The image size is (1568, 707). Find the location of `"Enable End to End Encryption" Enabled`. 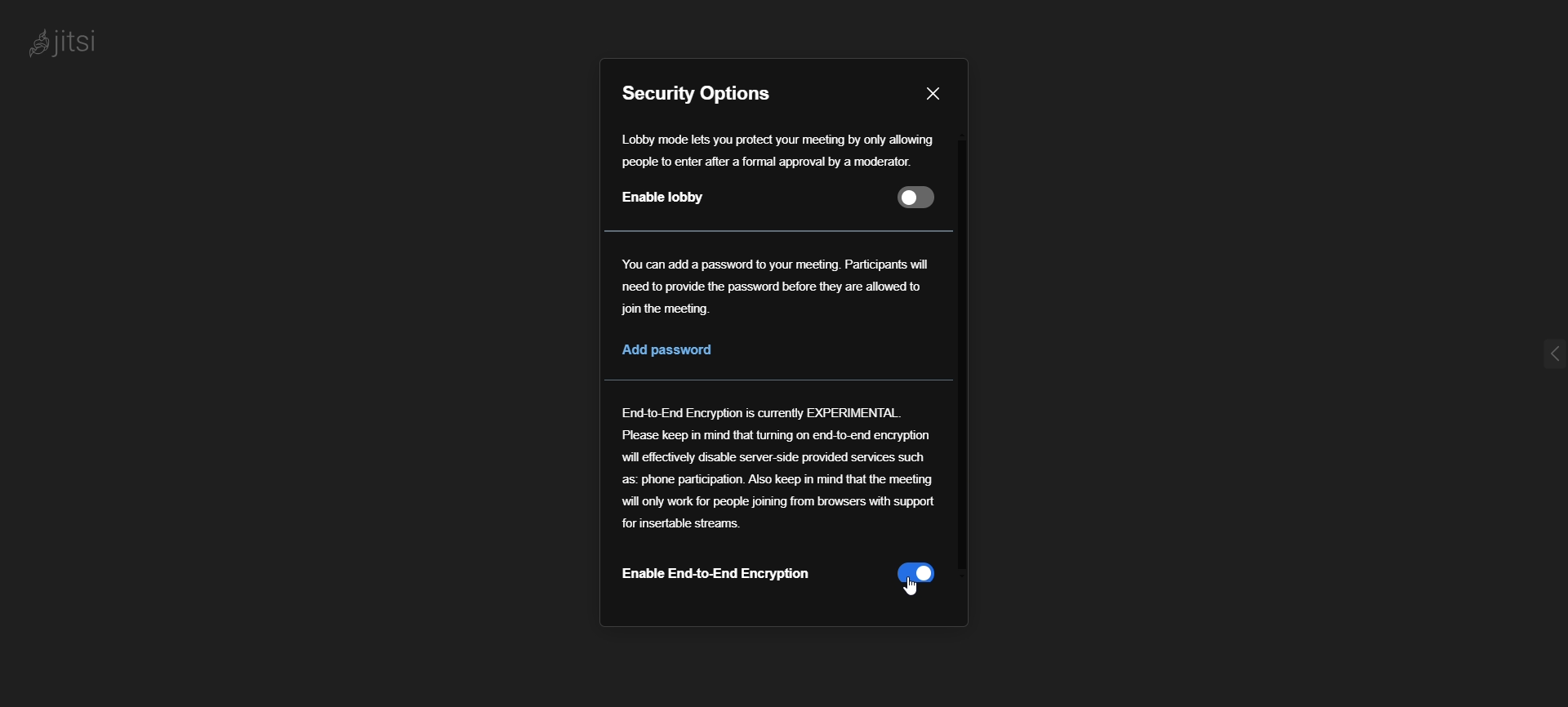

"Enable End to End Encryption" Enabled is located at coordinates (786, 580).